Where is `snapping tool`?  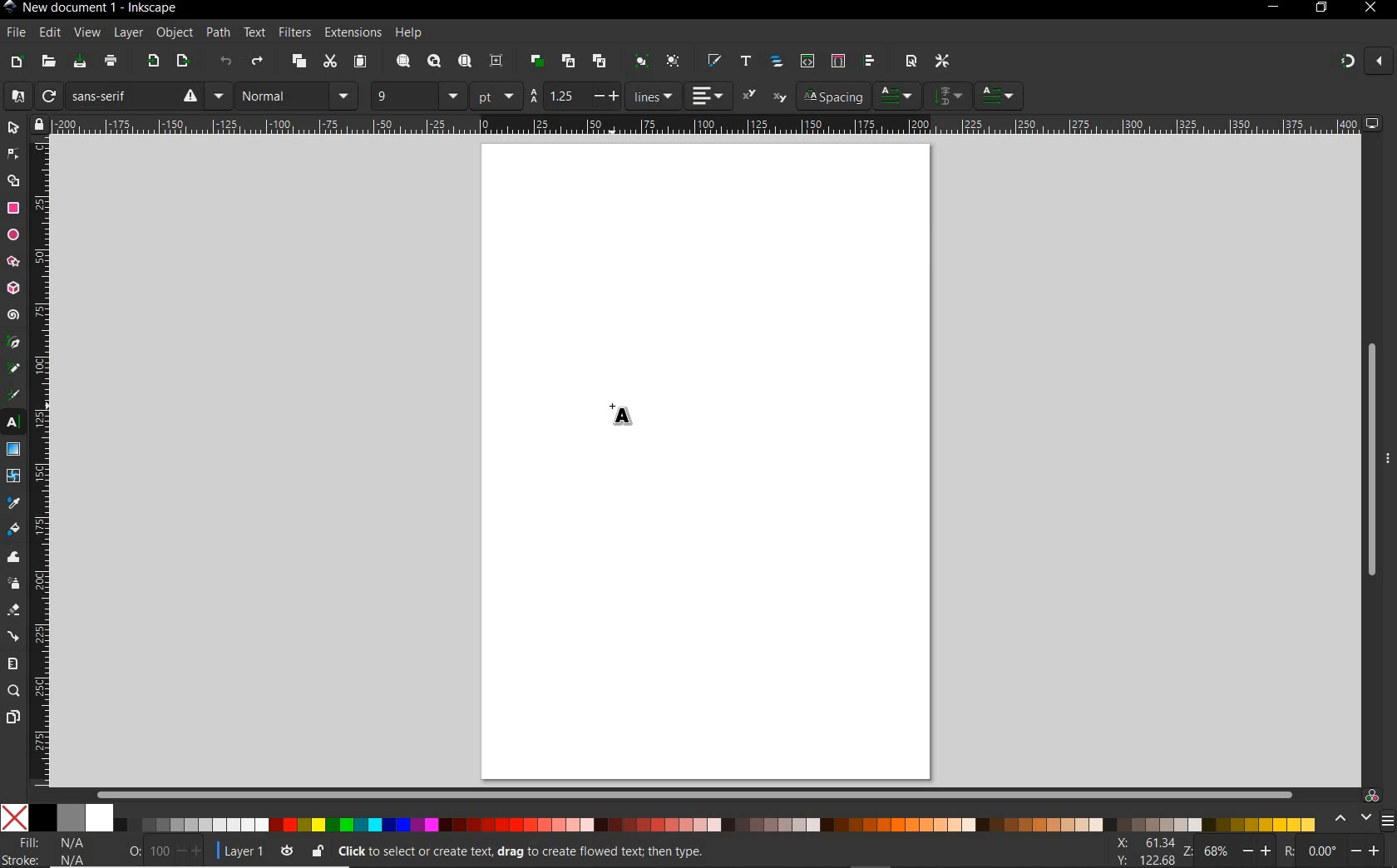 snapping tool is located at coordinates (1345, 62).